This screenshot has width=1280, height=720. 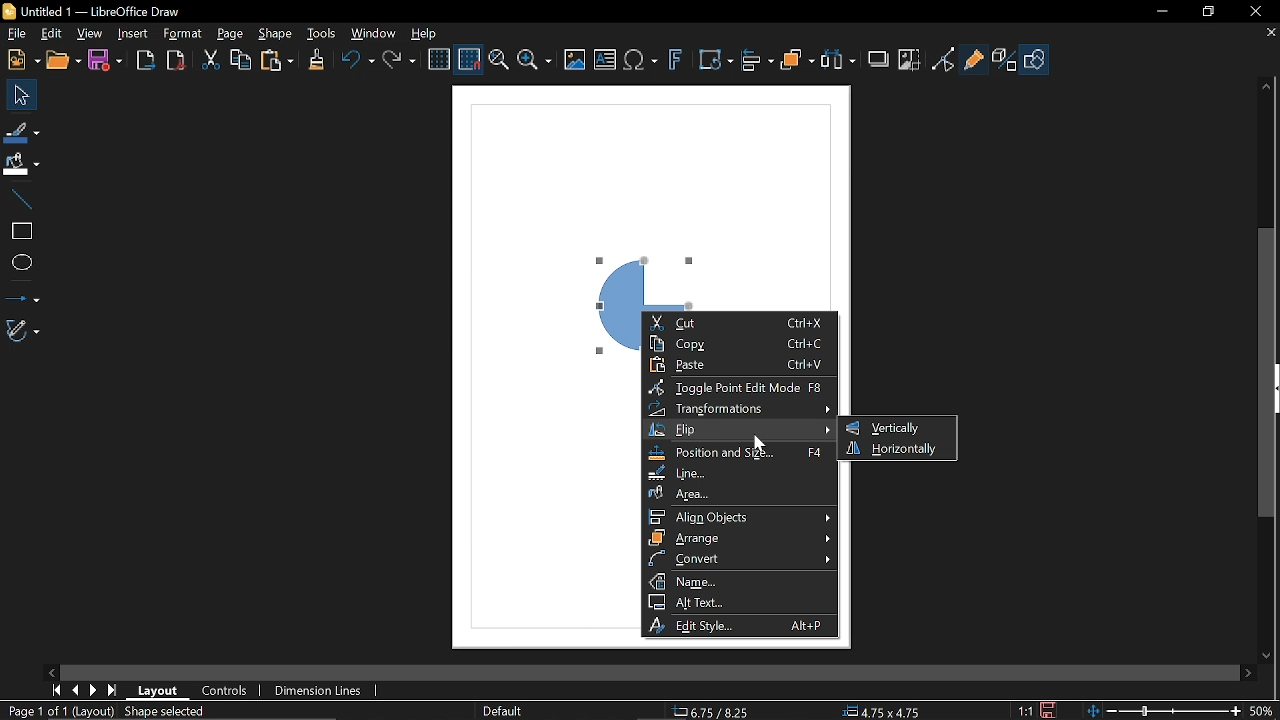 What do you see at coordinates (75, 690) in the screenshot?
I see `Previous page` at bounding box center [75, 690].